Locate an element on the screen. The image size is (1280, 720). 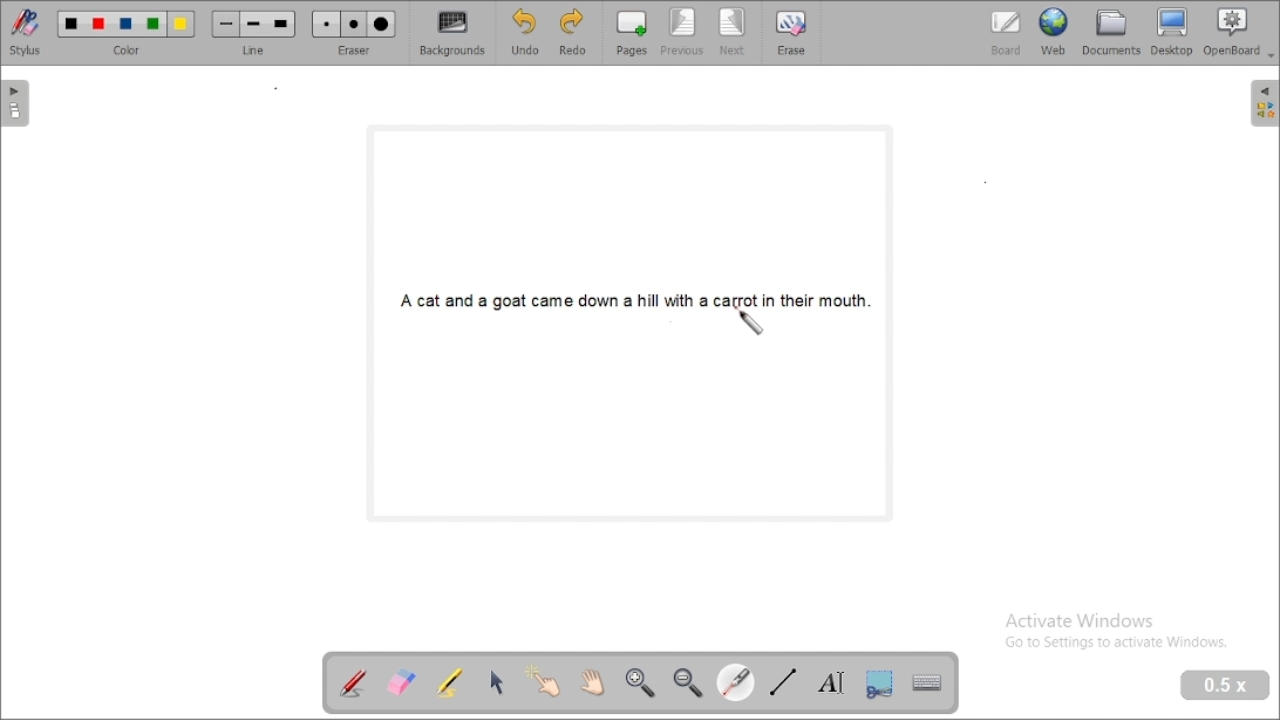
Carrot is located at coordinates (736, 301).